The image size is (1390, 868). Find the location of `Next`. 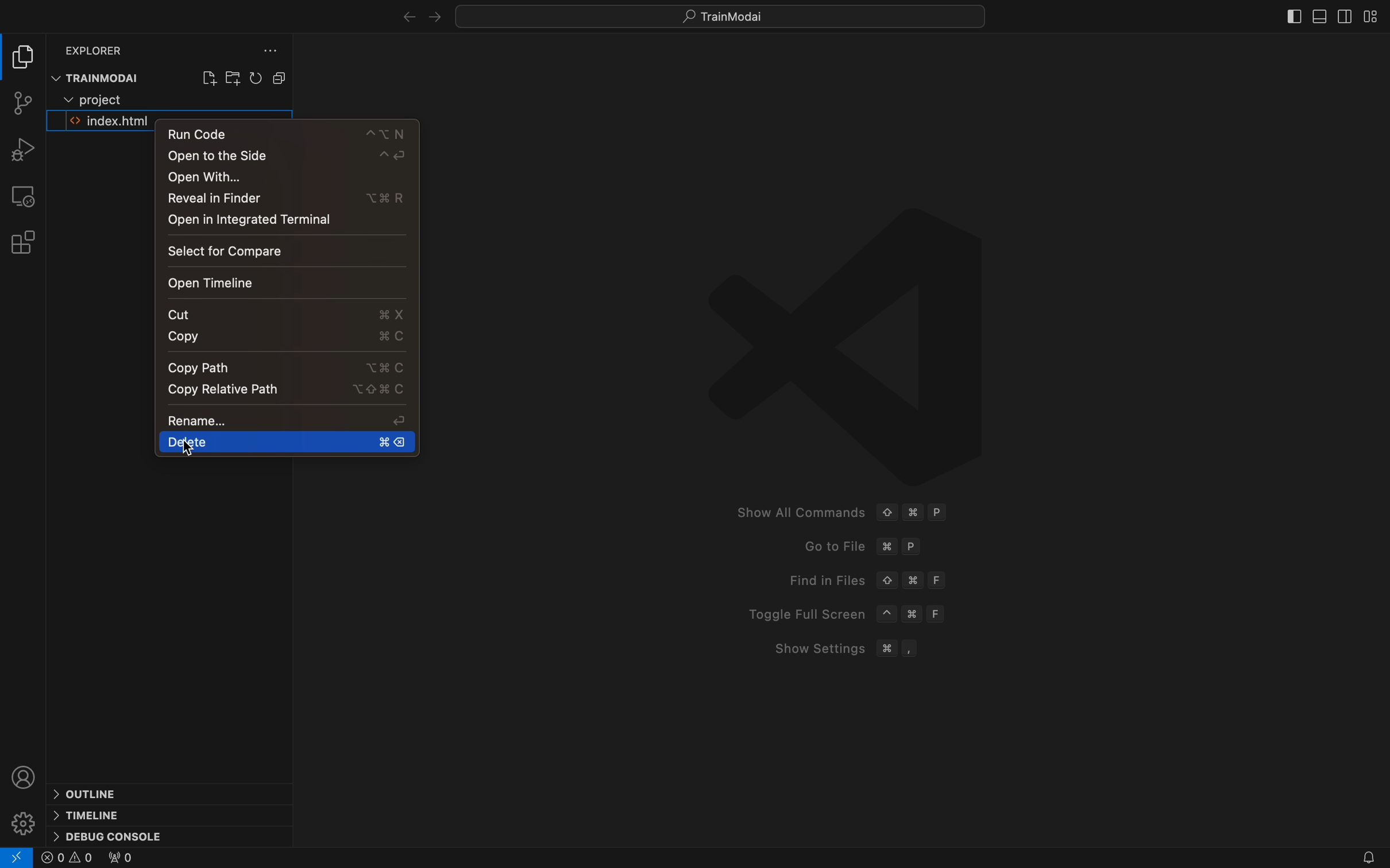

Next is located at coordinates (434, 17).